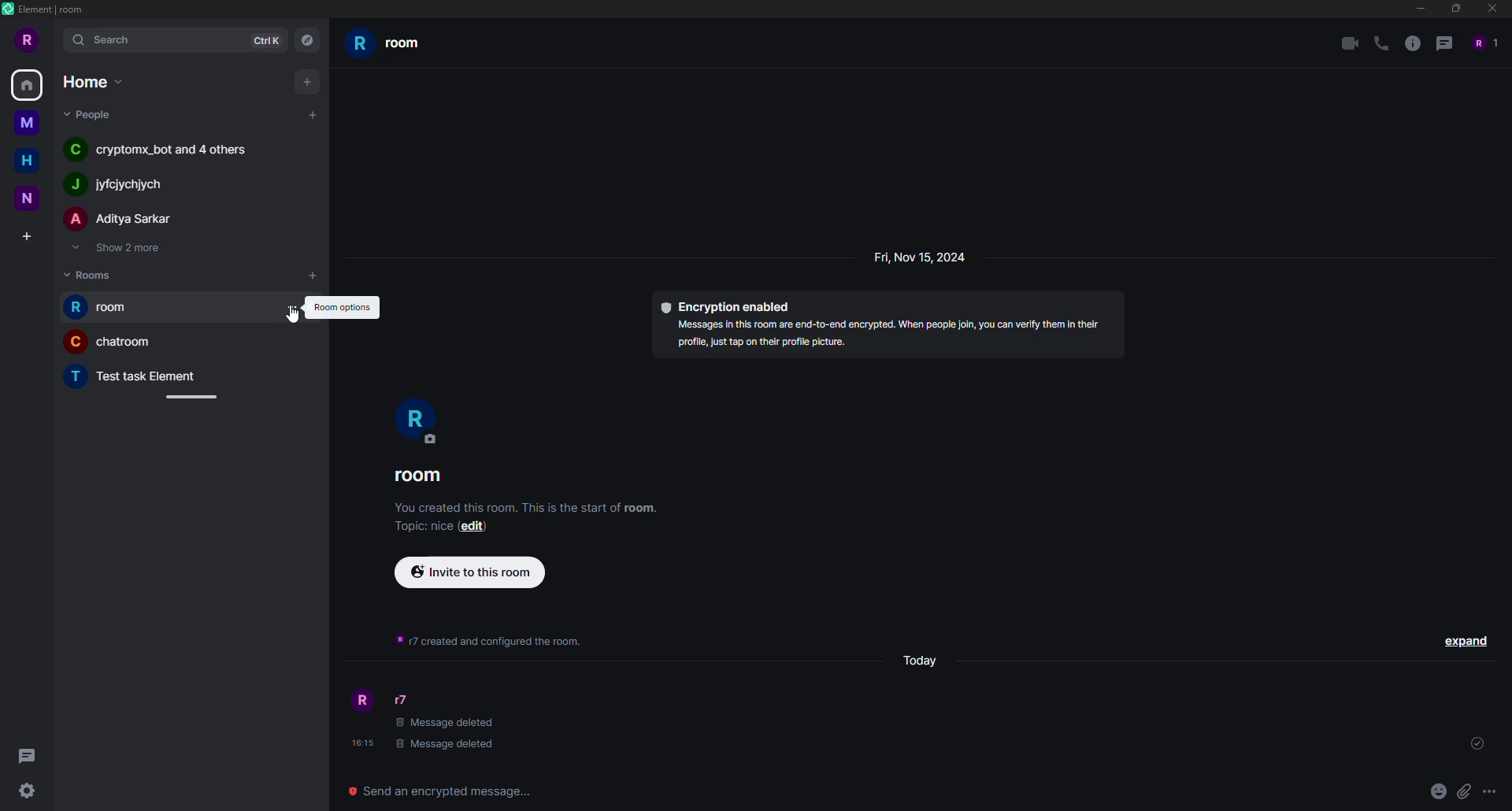 This screenshot has width=1512, height=811. I want to click on people, so click(91, 116).